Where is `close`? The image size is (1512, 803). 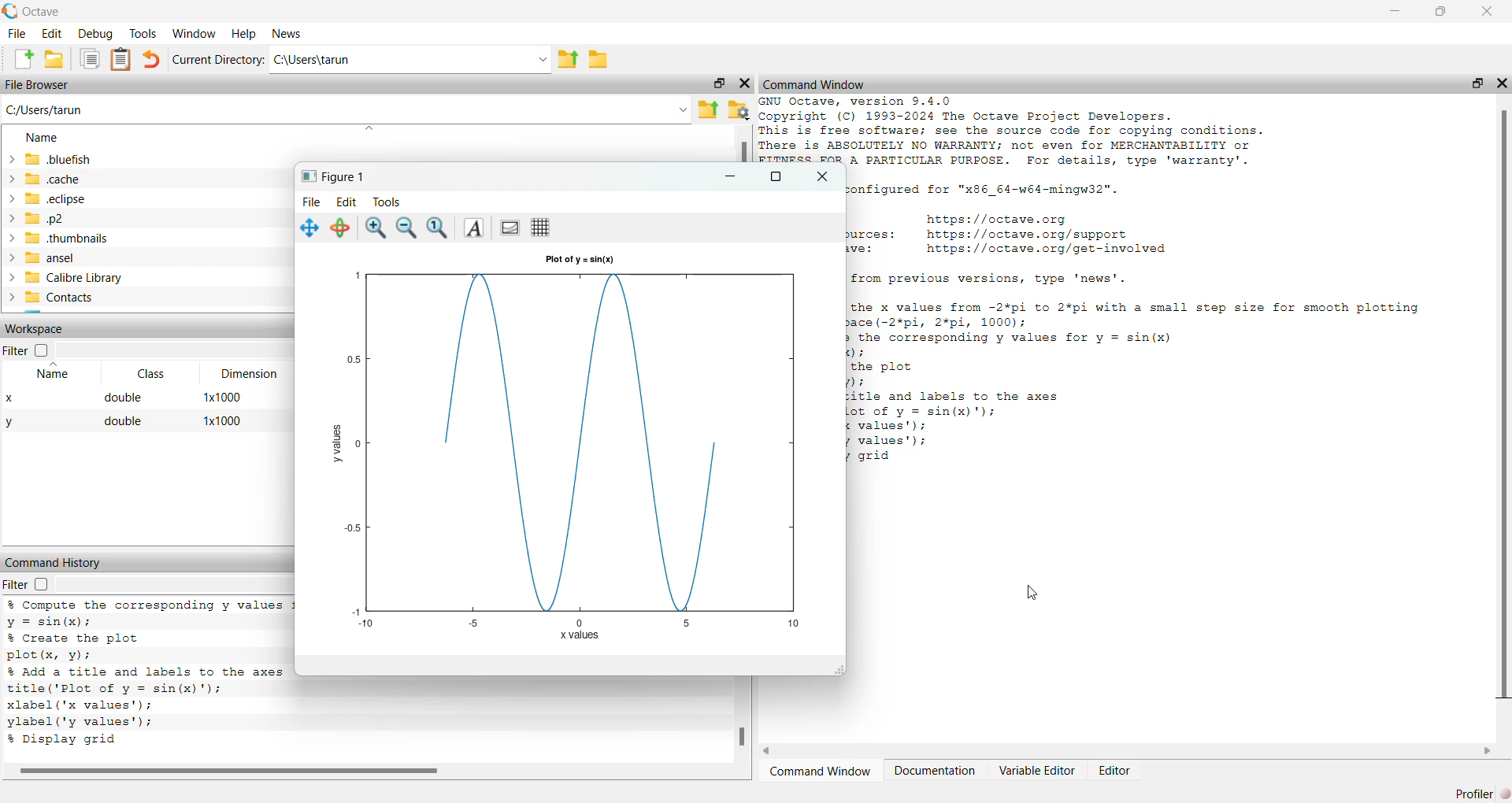 close is located at coordinates (745, 83).